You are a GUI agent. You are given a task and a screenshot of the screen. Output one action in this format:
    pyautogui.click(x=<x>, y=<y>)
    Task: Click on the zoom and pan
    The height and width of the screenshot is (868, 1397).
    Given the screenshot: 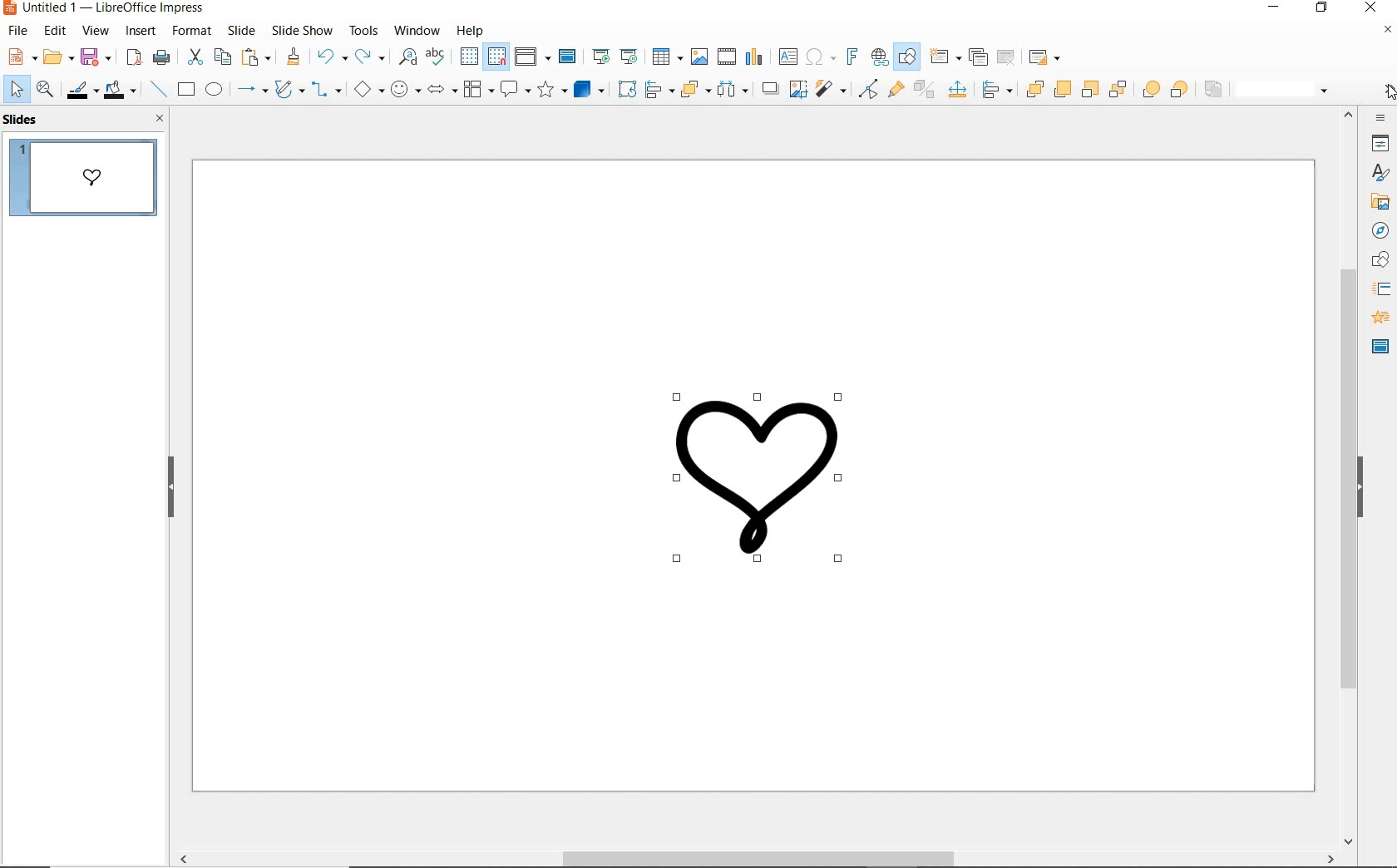 What is the action you would take?
    pyautogui.click(x=43, y=89)
    